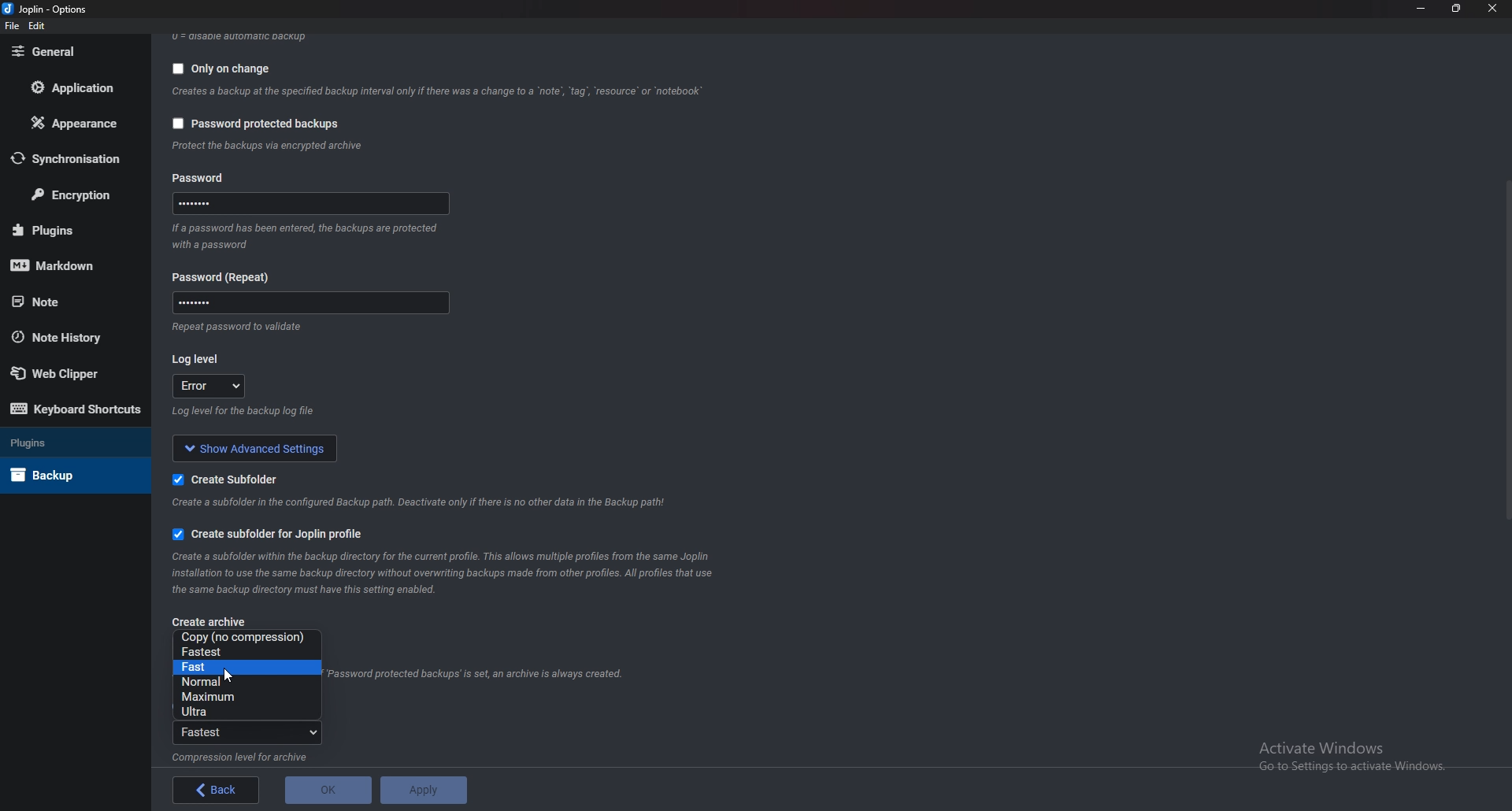 This screenshot has height=811, width=1512. I want to click on No compression, so click(242, 638).